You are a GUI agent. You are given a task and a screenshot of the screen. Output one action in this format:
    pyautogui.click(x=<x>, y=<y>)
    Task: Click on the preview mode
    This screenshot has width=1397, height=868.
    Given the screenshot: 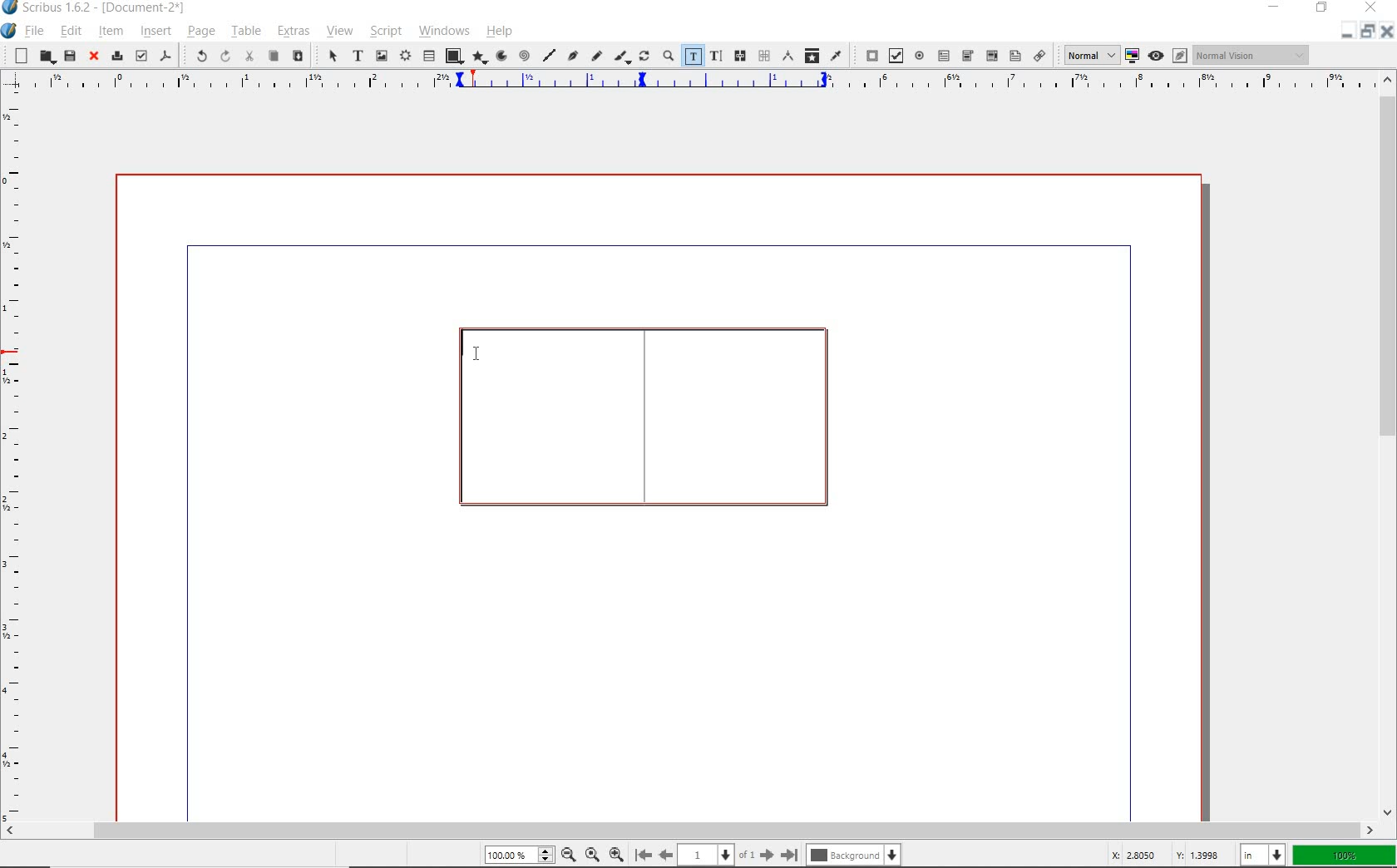 What is the action you would take?
    pyautogui.click(x=1170, y=56)
    